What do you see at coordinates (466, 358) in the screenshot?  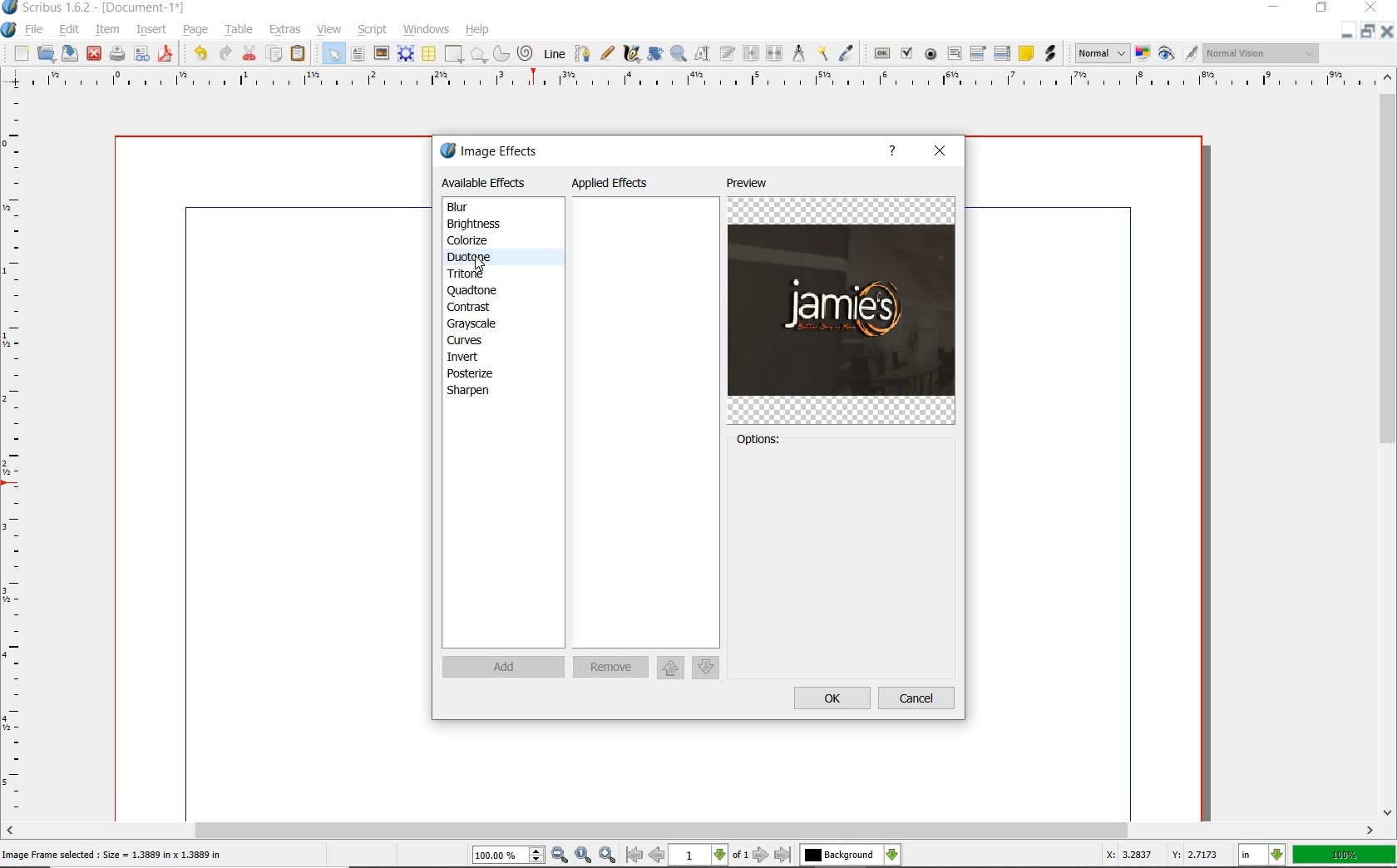 I see `invert` at bounding box center [466, 358].